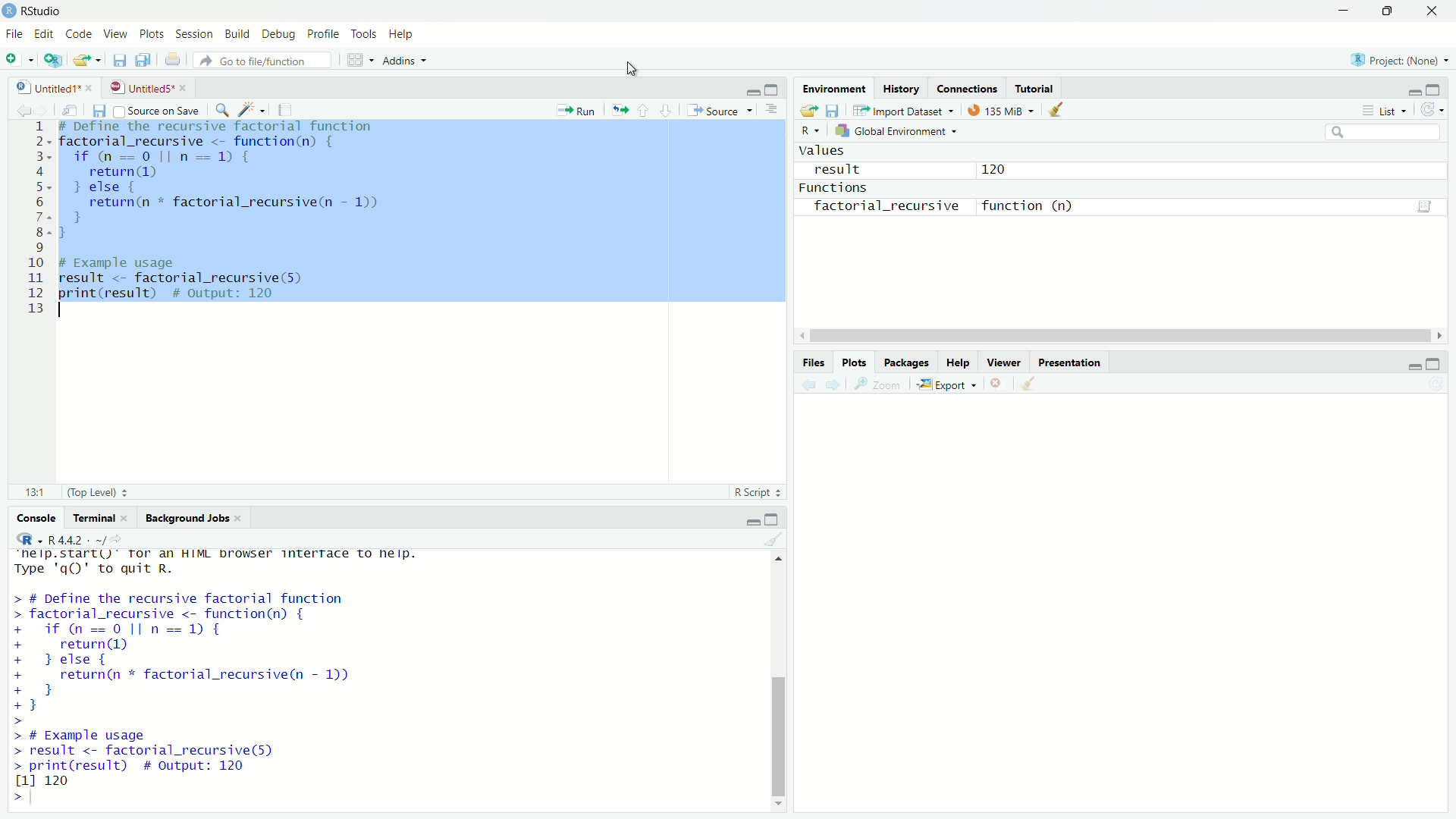  Describe the element at coordinates (1412, 366) in the screenshot. I see `Minimize` at that location.